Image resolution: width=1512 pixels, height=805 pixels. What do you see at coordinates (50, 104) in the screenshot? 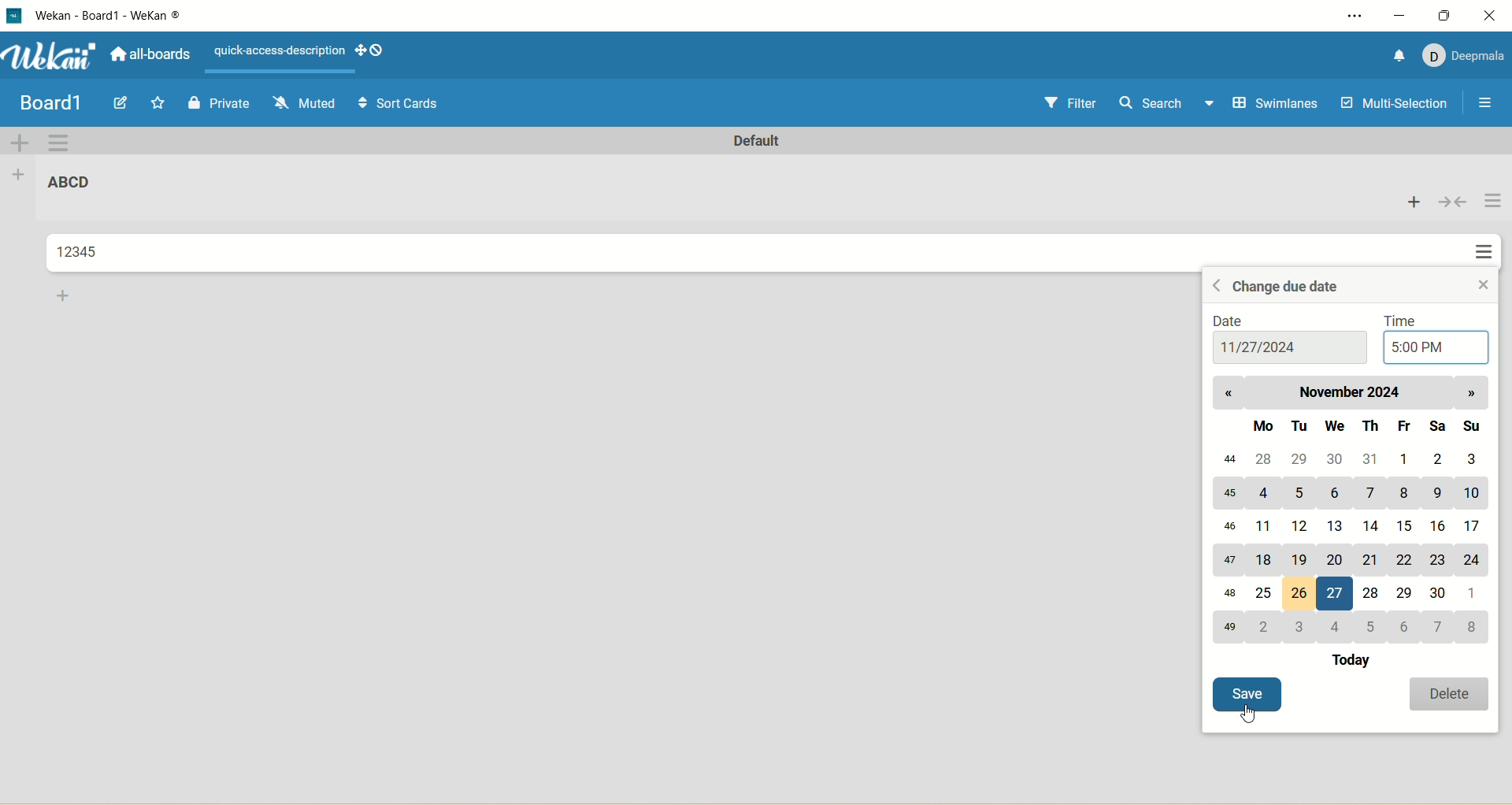
I see `board1` at bounding box center [50, 104].